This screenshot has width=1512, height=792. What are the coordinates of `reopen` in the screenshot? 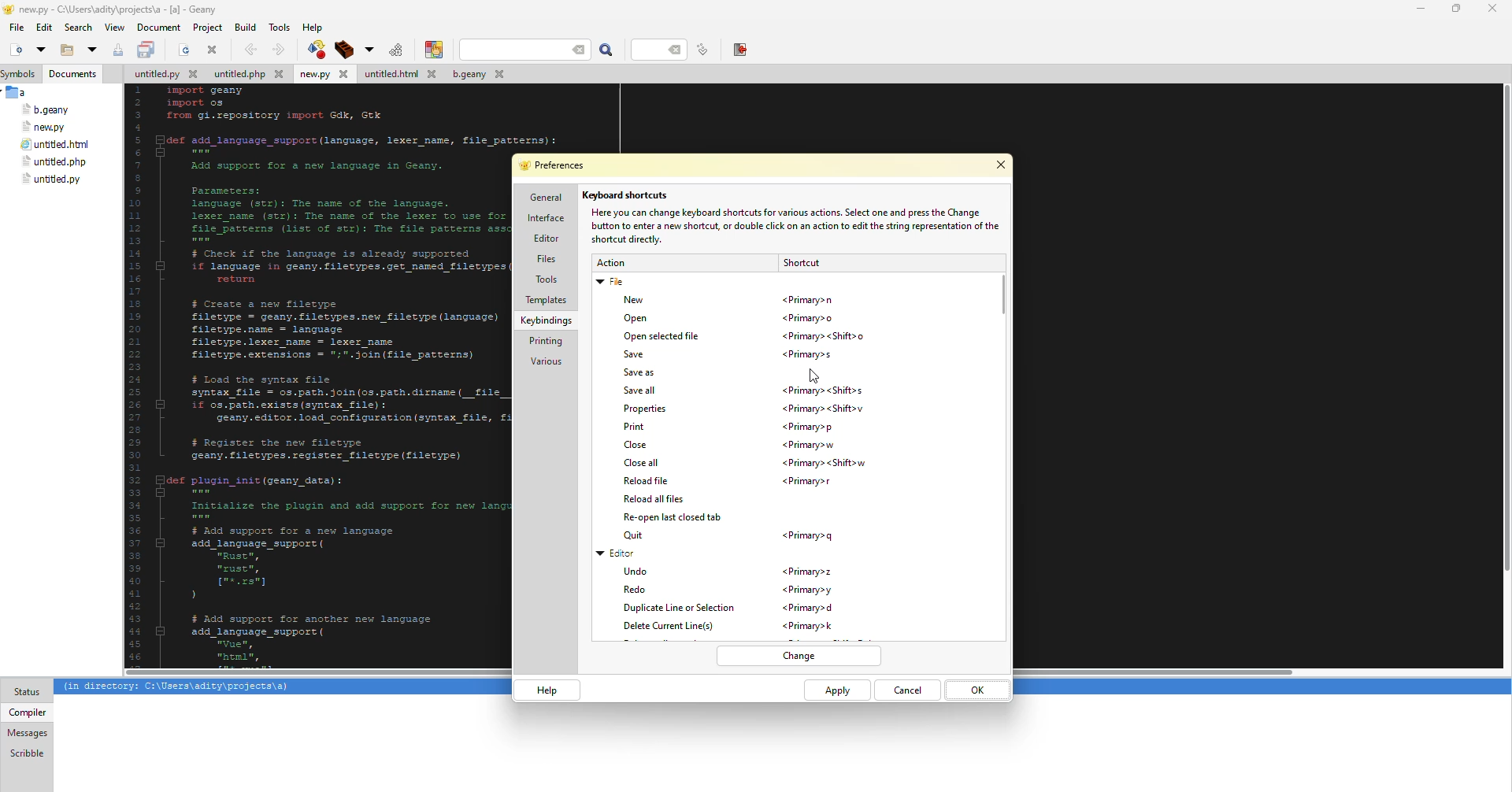 It's located at (674, 518).